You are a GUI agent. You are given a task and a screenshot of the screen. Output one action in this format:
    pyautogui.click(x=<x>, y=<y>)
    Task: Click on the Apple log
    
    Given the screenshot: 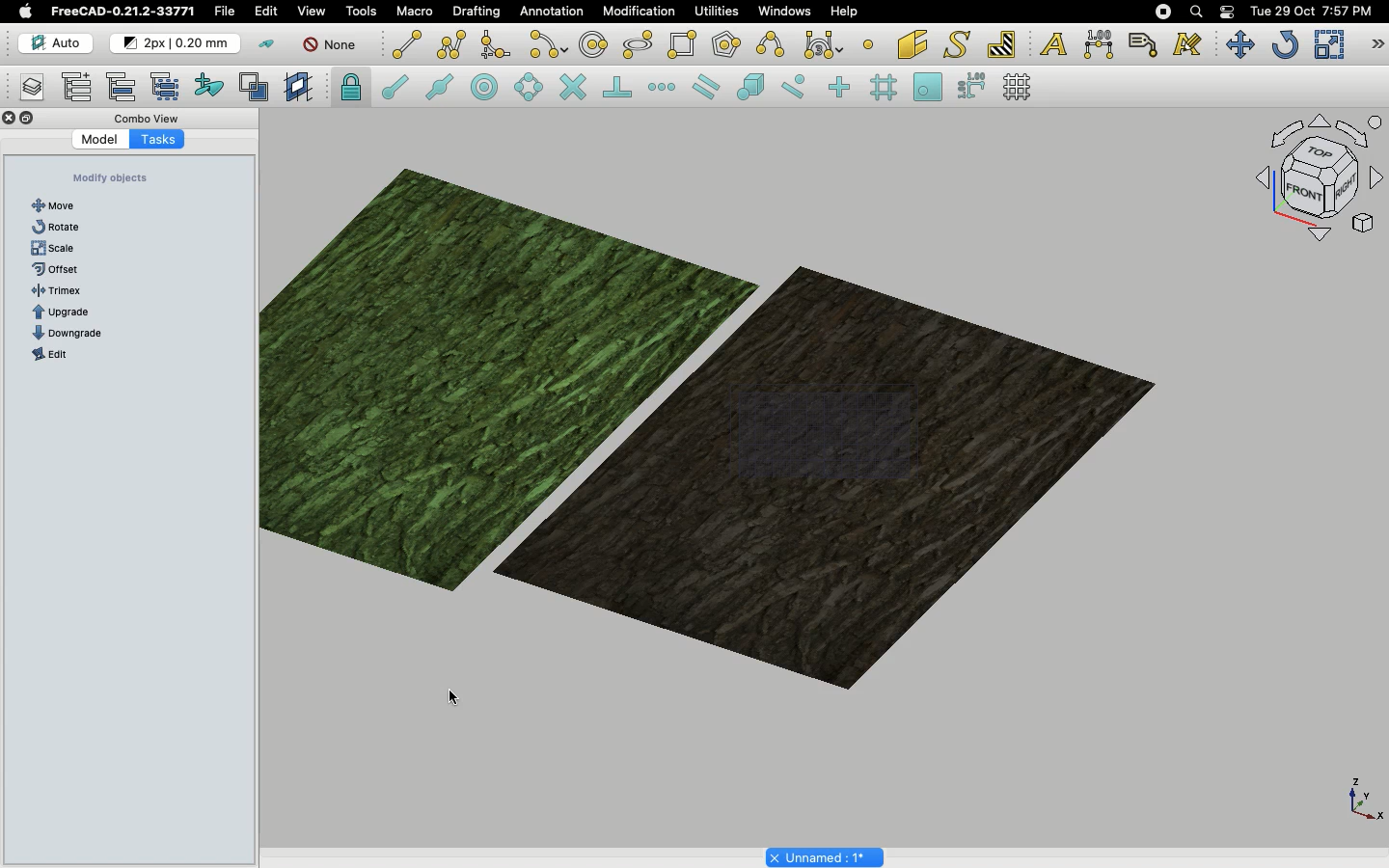 What is the action you would take?
    pyautogui.click(x=26, y=11)
    